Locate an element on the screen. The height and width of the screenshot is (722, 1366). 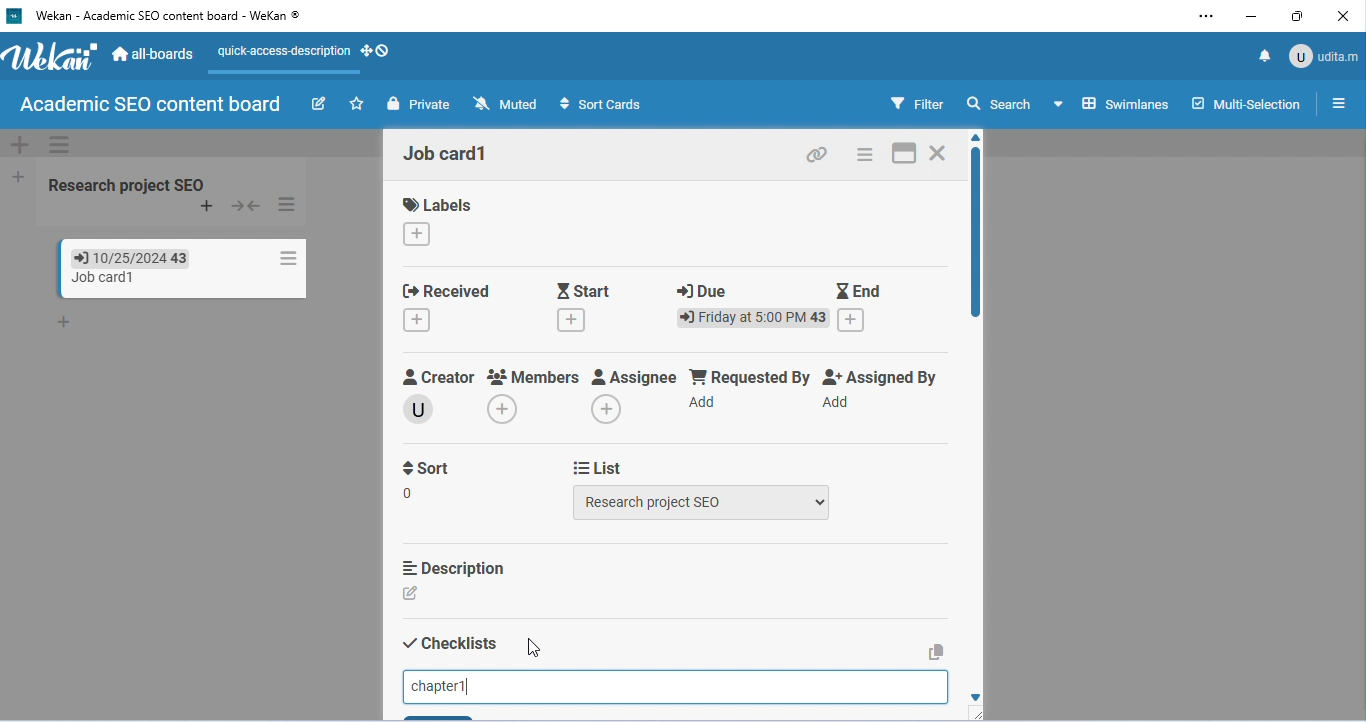
add assigner is located at coordinates (838, 404).